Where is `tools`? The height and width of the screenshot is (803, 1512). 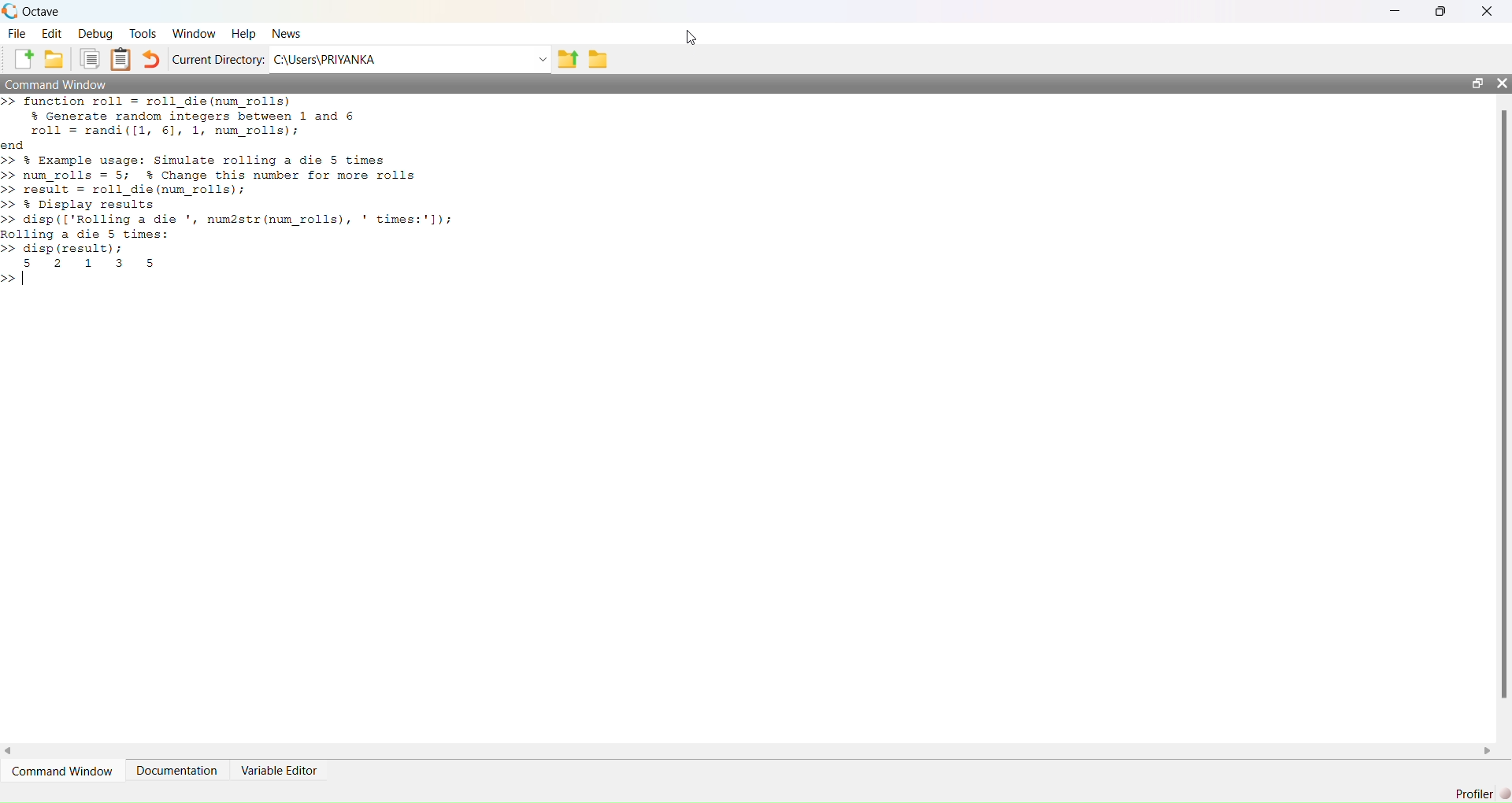
tools is located at coordinates (145, 33).